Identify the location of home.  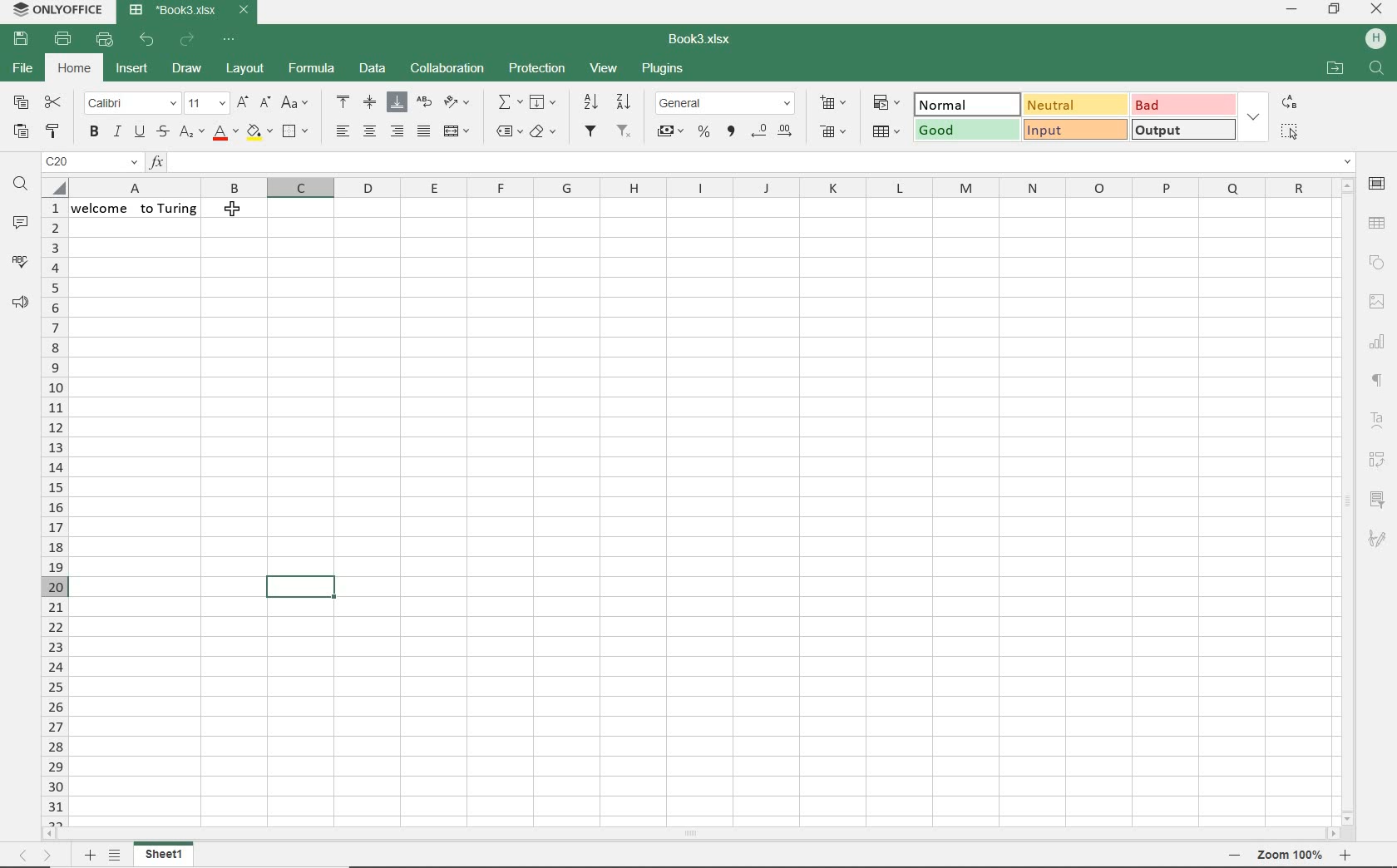
(74, 70).